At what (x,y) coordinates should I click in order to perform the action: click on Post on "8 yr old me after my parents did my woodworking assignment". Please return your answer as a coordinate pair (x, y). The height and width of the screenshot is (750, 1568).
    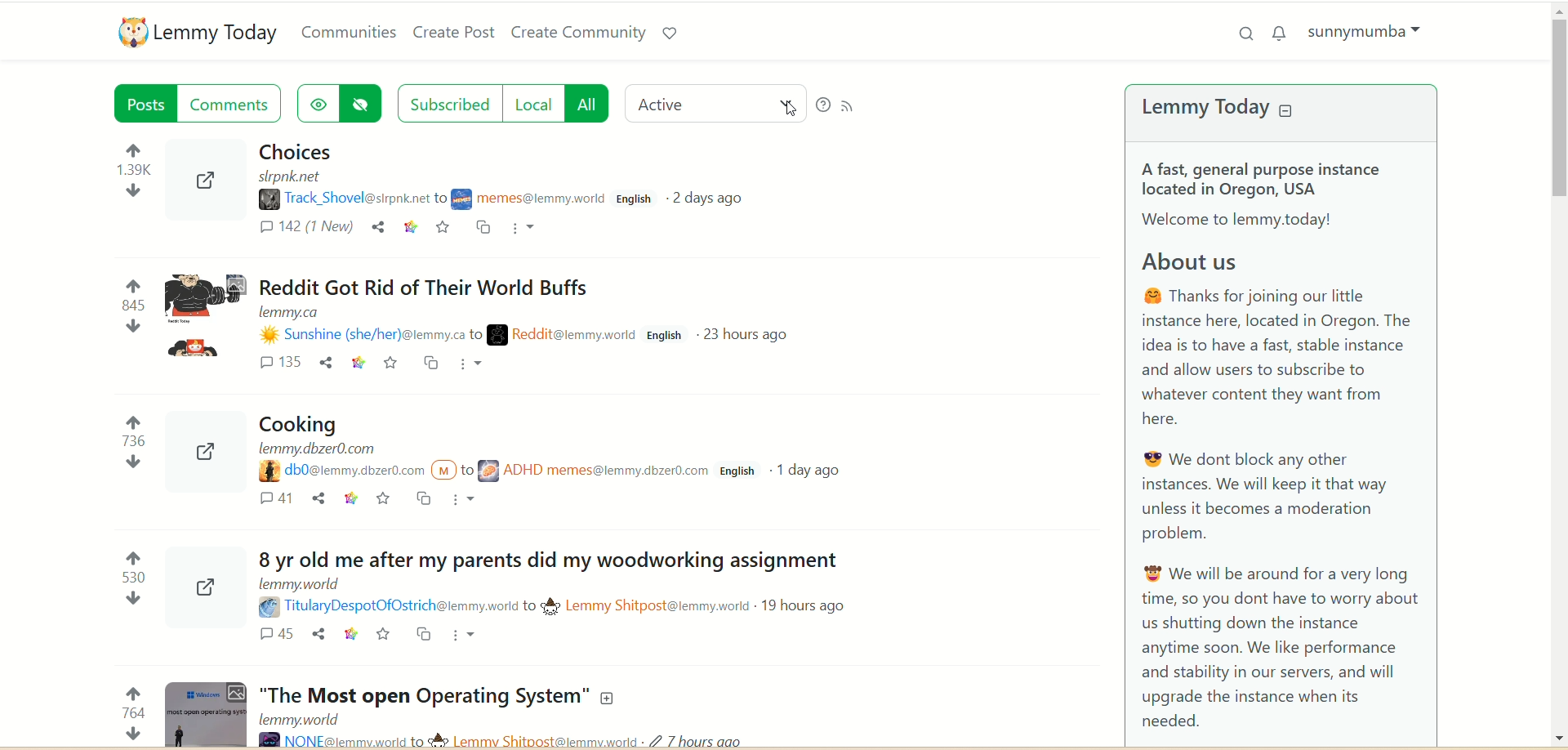
    Looking at the image, I should click on (534, 570).